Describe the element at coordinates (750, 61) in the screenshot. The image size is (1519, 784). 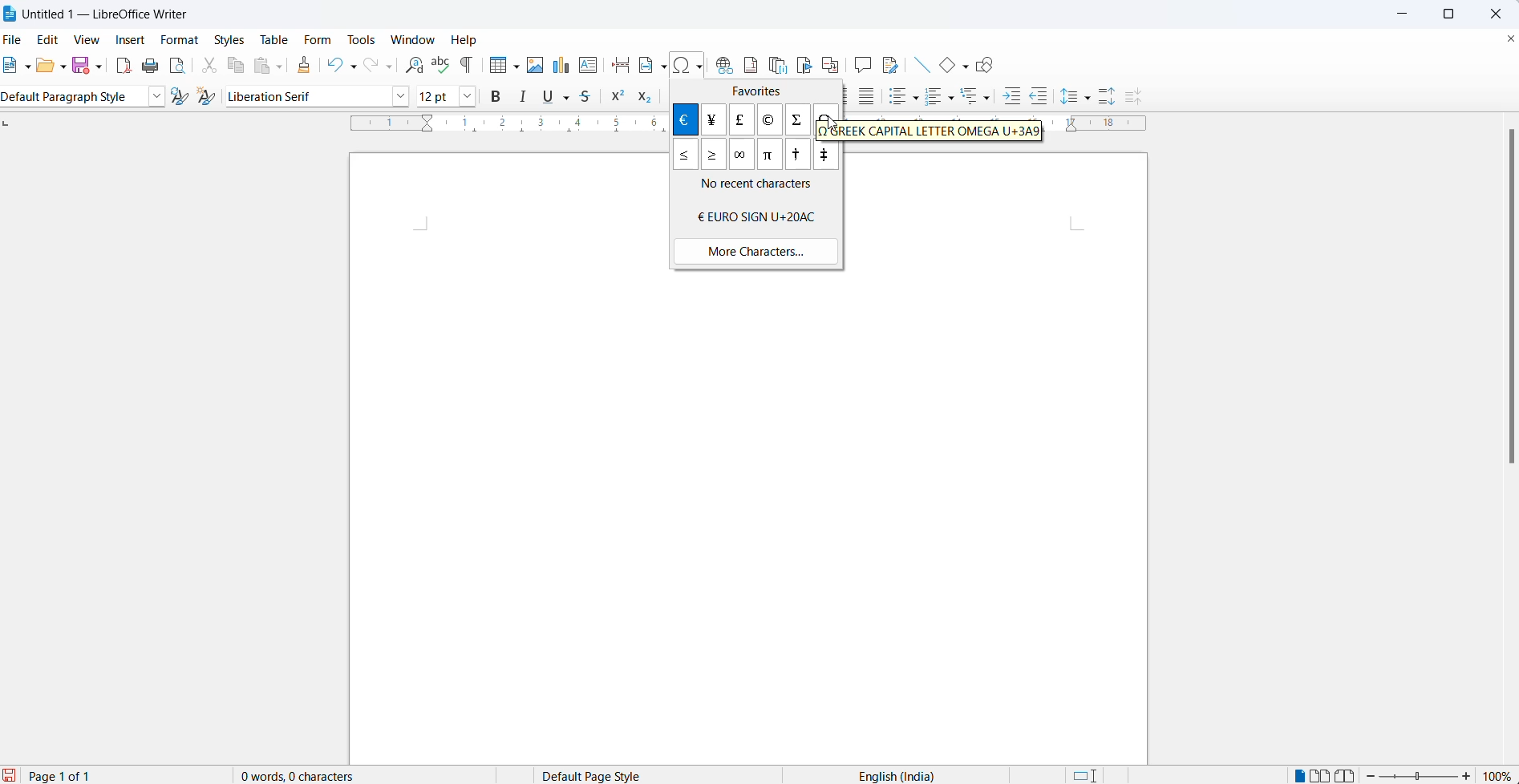
I see `insert footnote` at that location.